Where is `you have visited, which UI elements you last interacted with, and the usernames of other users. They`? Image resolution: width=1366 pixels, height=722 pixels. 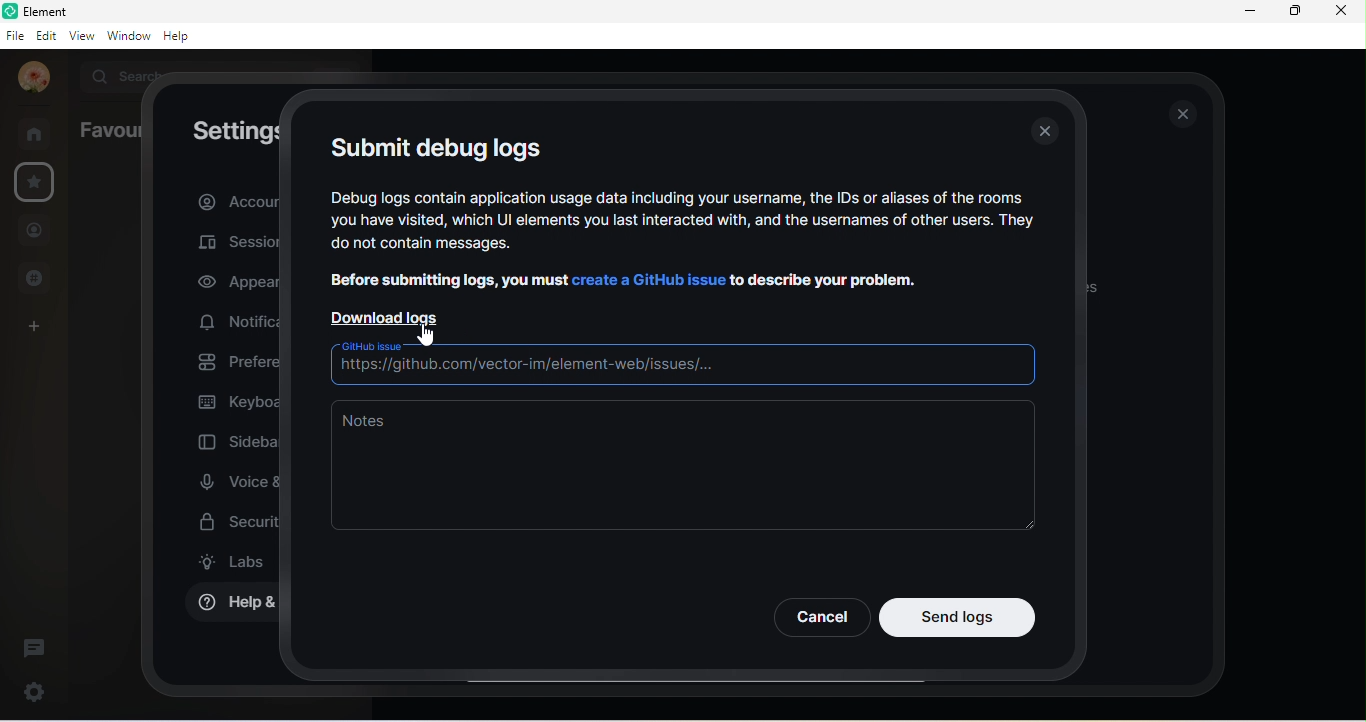 you have visited, which UI elements you last interacted with, and the usernames of other users. They is located at coordinates (685, 222).